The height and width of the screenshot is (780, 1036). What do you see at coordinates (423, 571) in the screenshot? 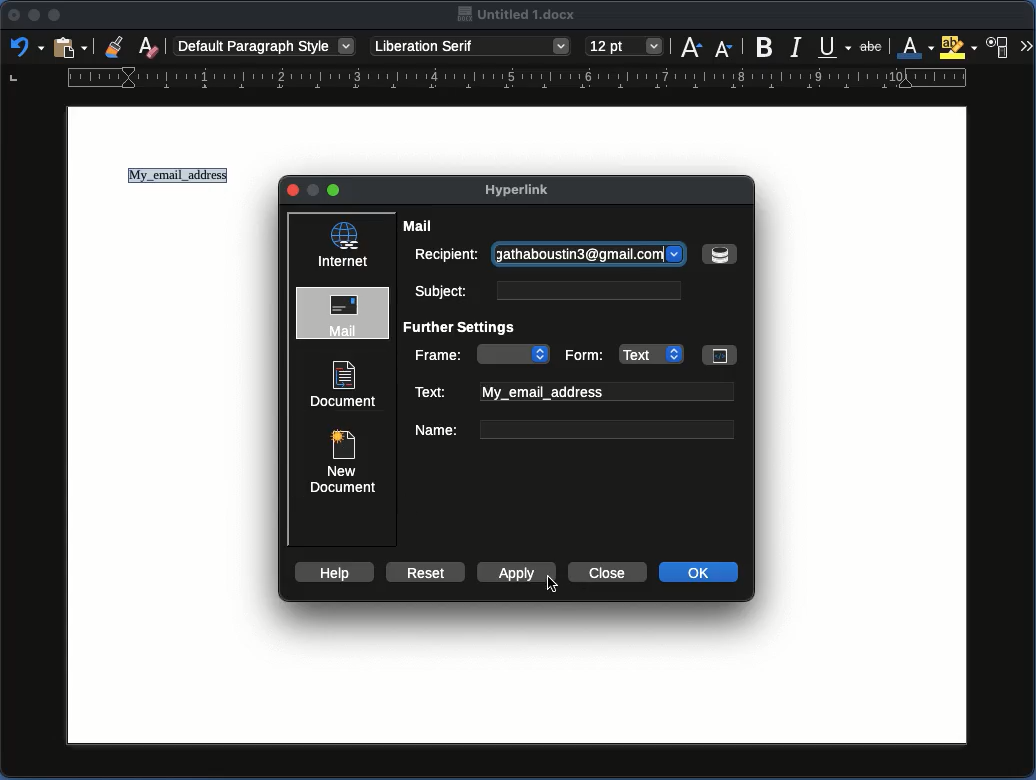
I see `Reset` at bounding box center [423, 571].